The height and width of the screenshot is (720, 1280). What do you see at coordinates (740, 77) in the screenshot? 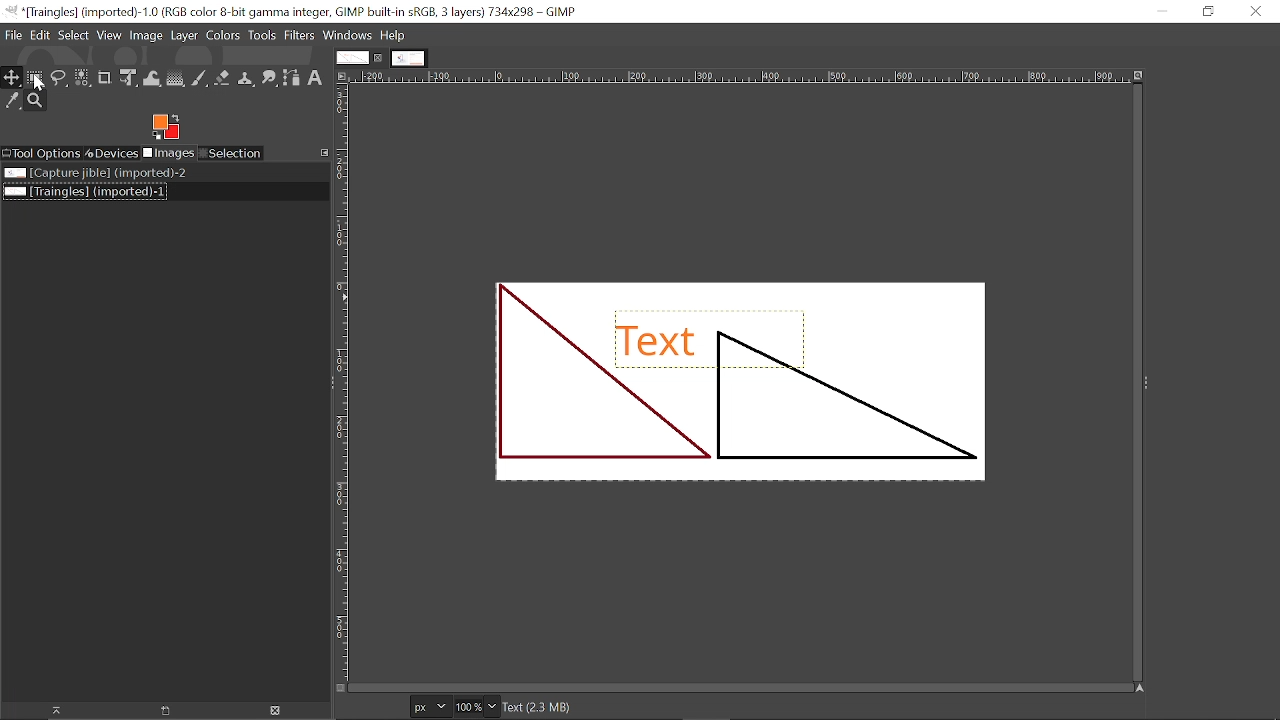
I see `Horizonta label` at bounding box center [740, 77].